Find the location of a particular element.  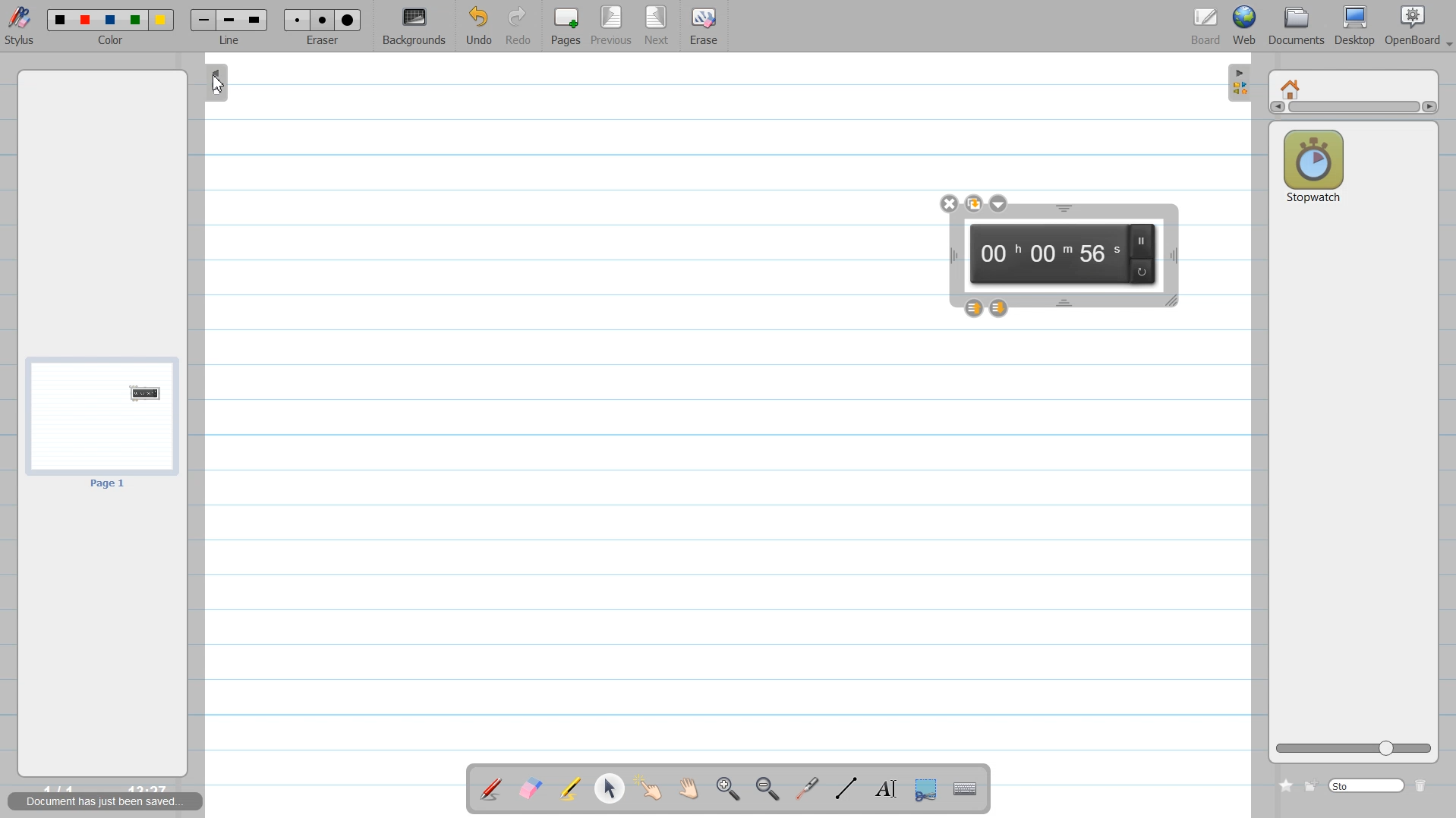

Redo is located at coordinates (519, 27).